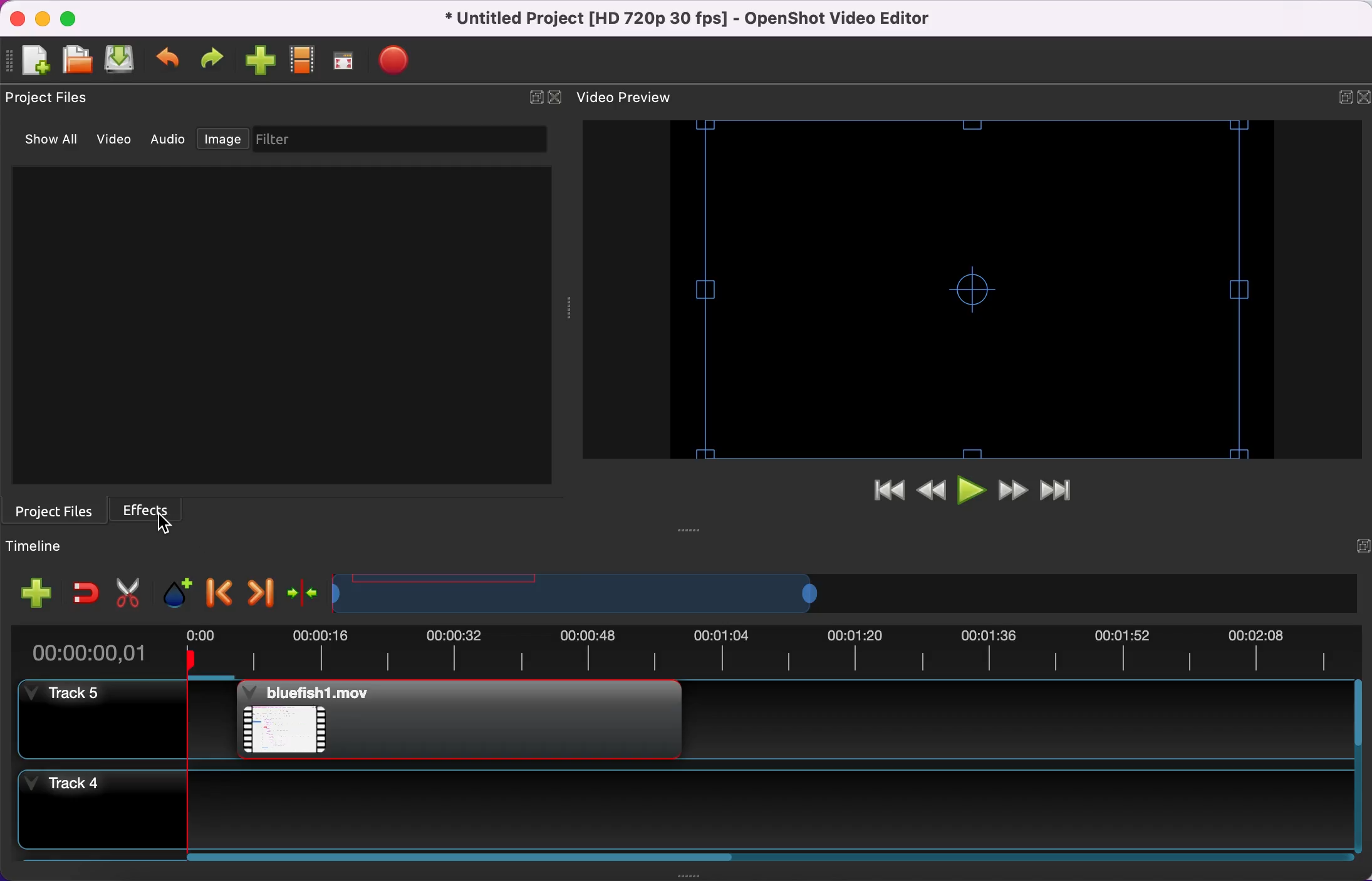 This screenshot has height=881, width=1372. I want to click on jump to end, so click(1063, 489).